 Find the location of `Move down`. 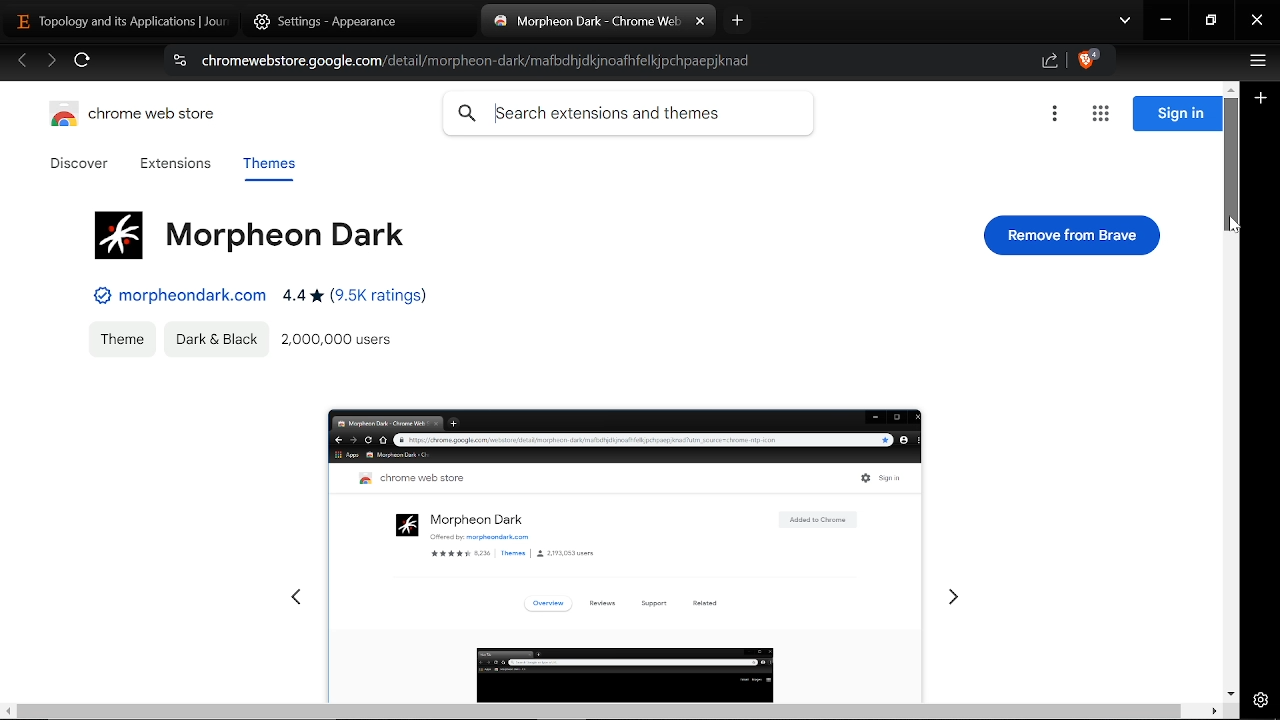

Move down is located at coordinates (1230, 693).